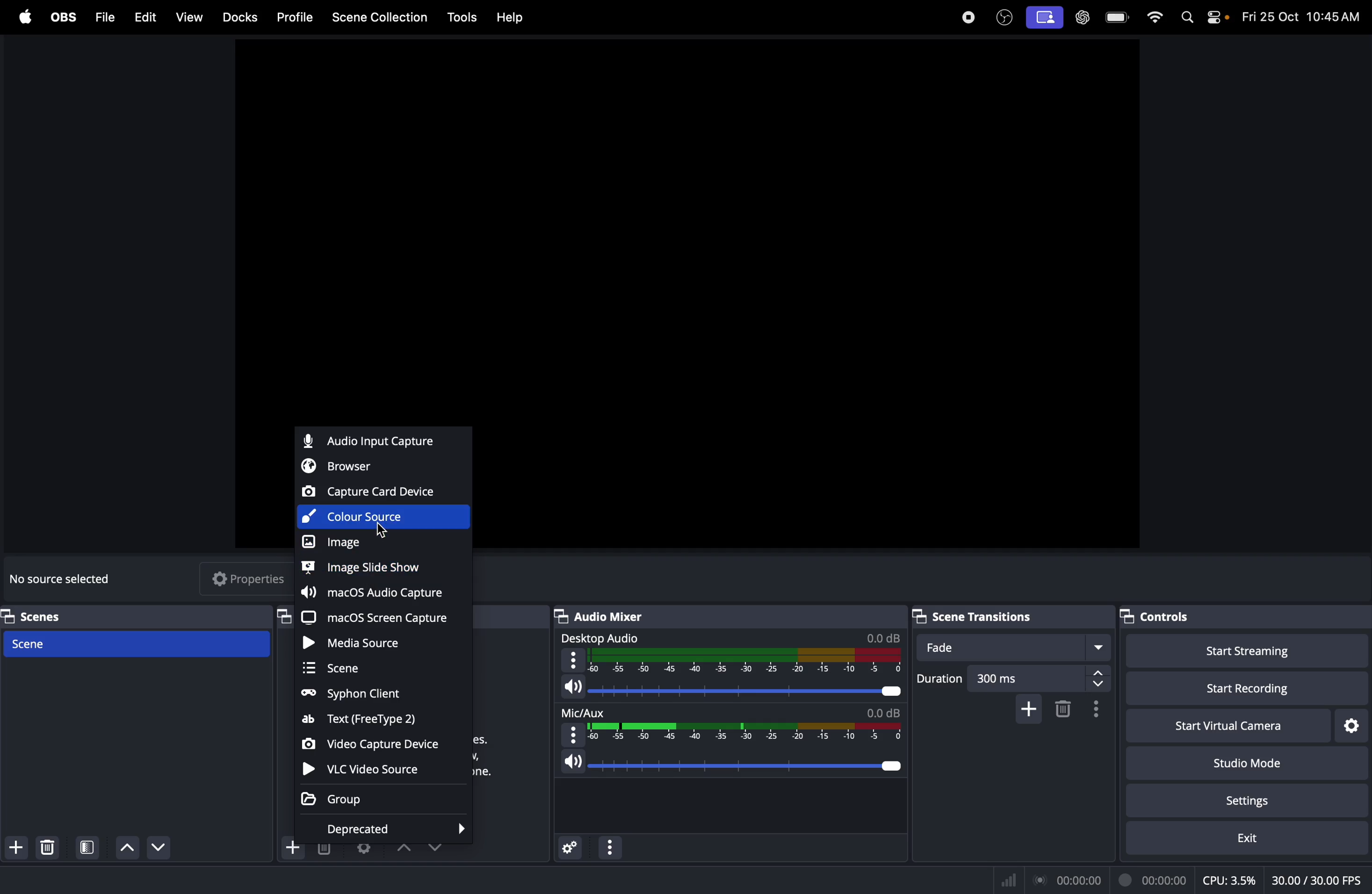 The width and height of the screenshot is (1372, 894). Describe the element at coordinates (103, 16) in the screenshot. I see `Files` at that location.